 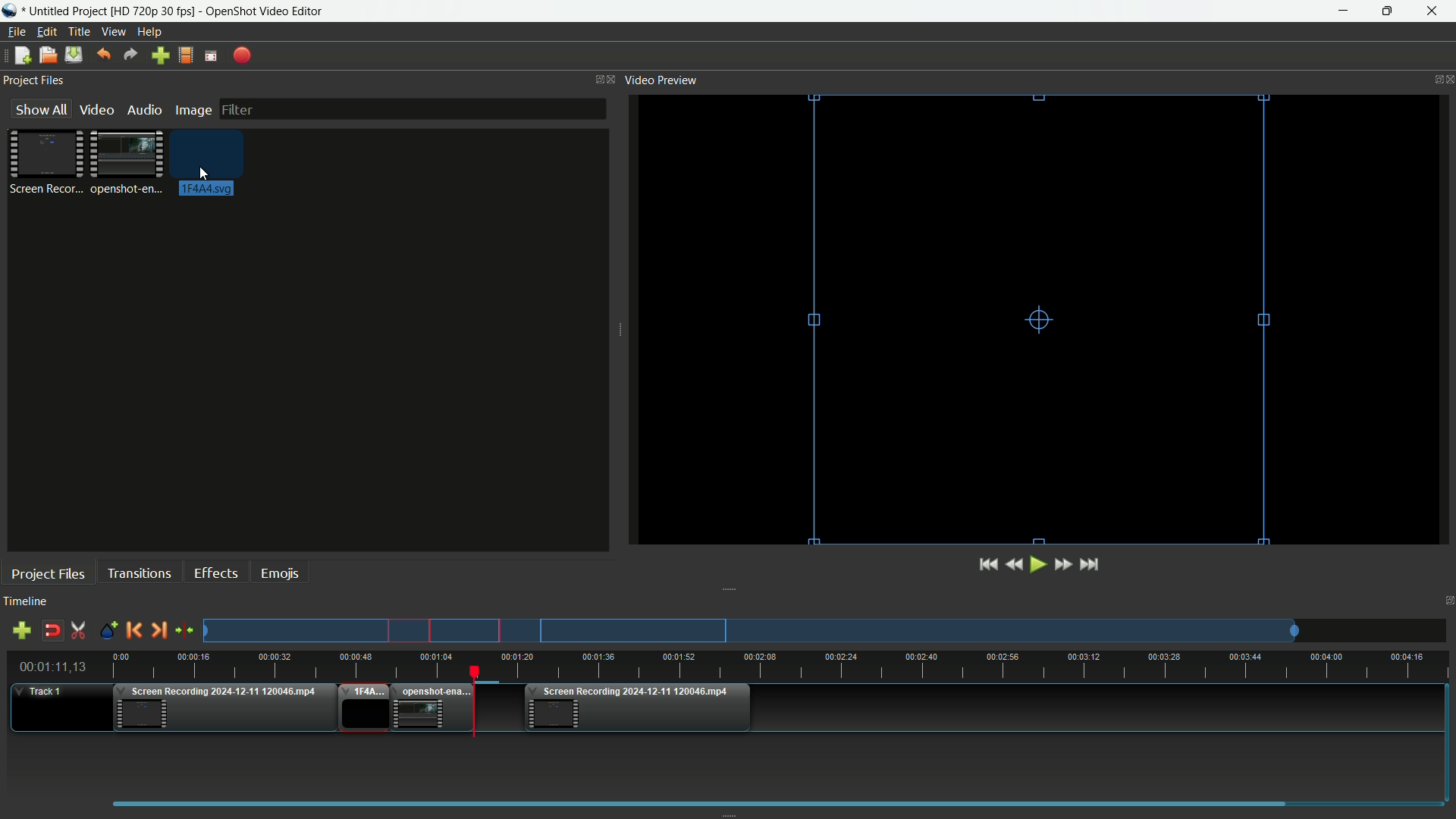 I want to click on File menu, so click(x=14, y=33).